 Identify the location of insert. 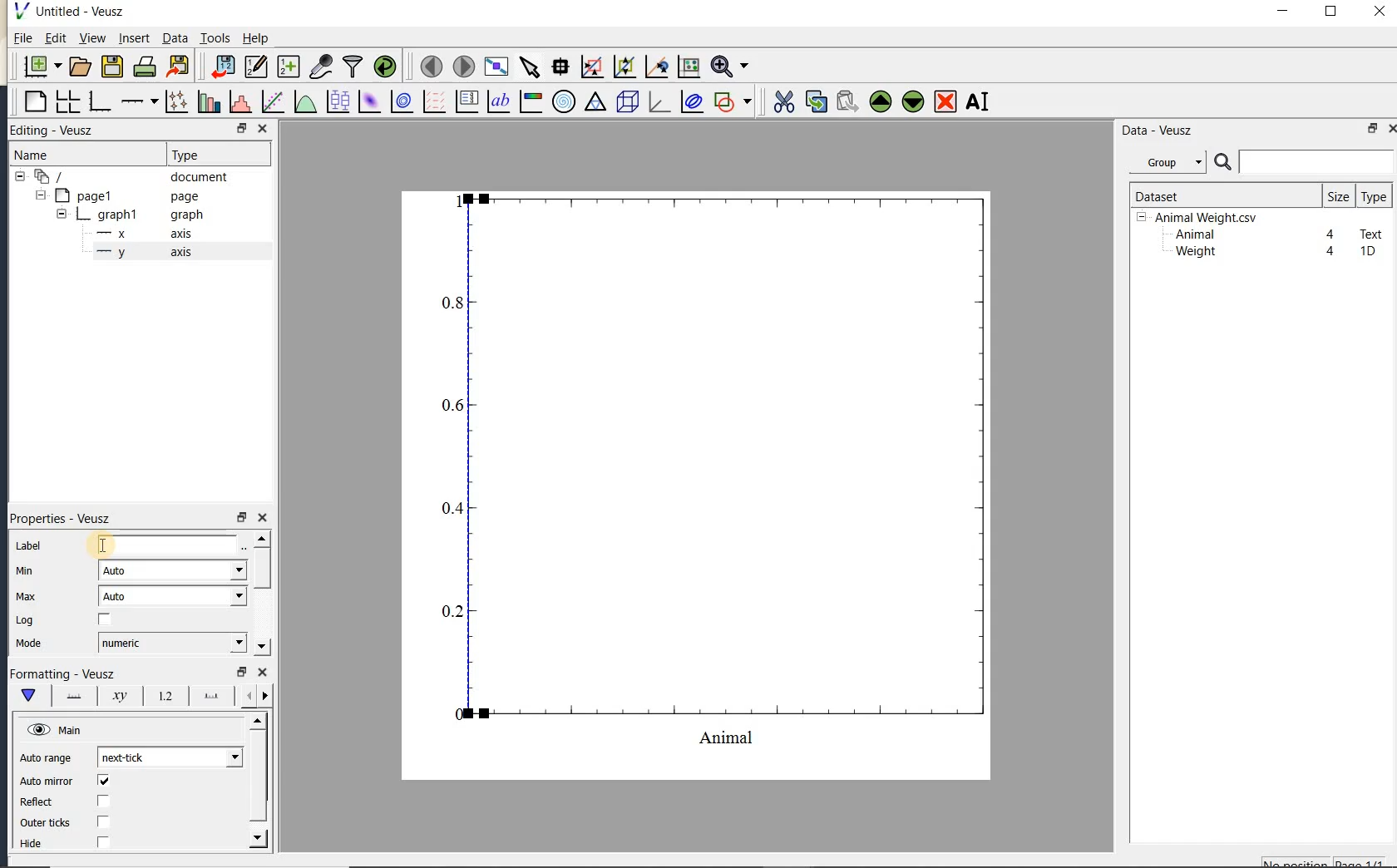
(134, 37).